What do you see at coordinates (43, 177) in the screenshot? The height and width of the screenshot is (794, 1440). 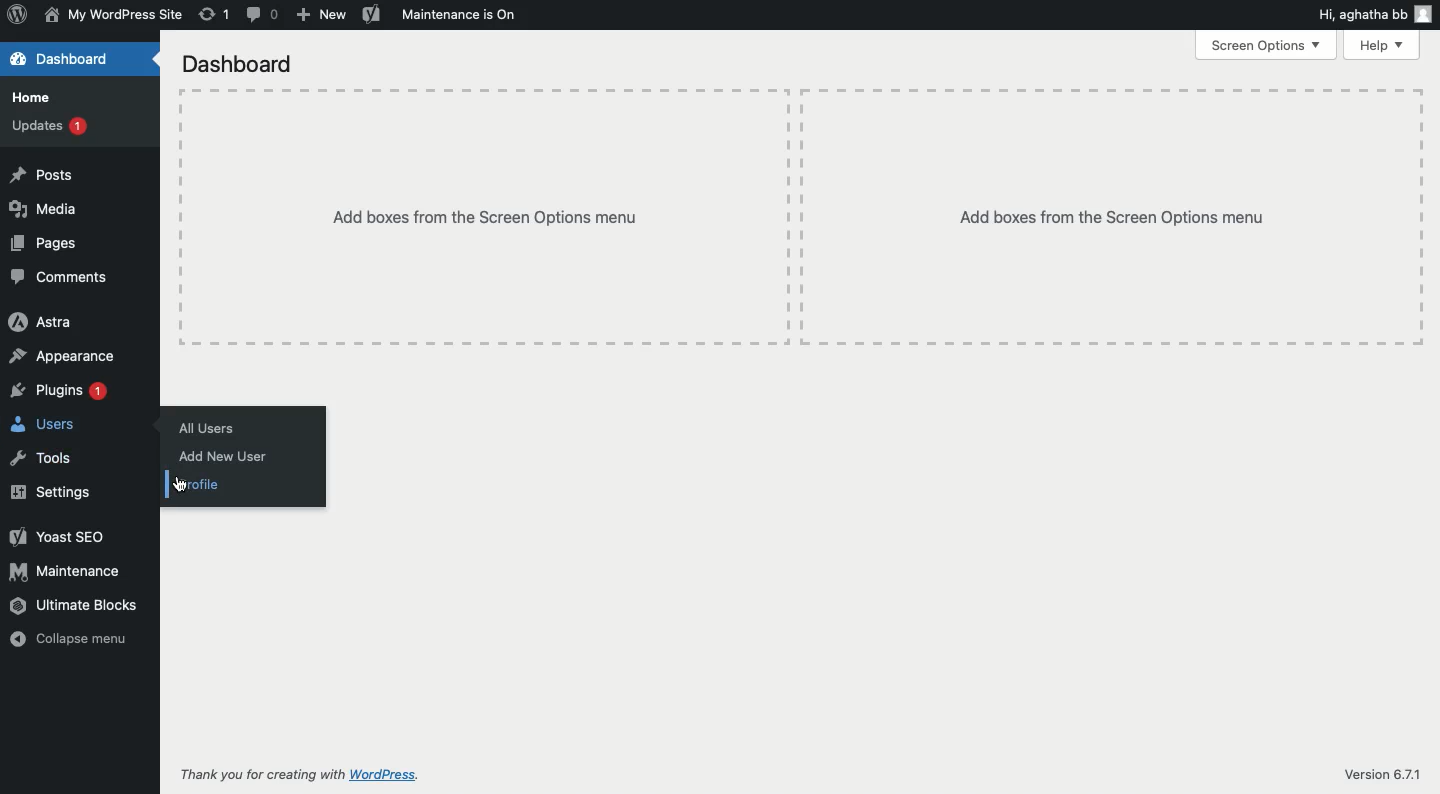 I see `Posts` at bounding box center [43, 177].